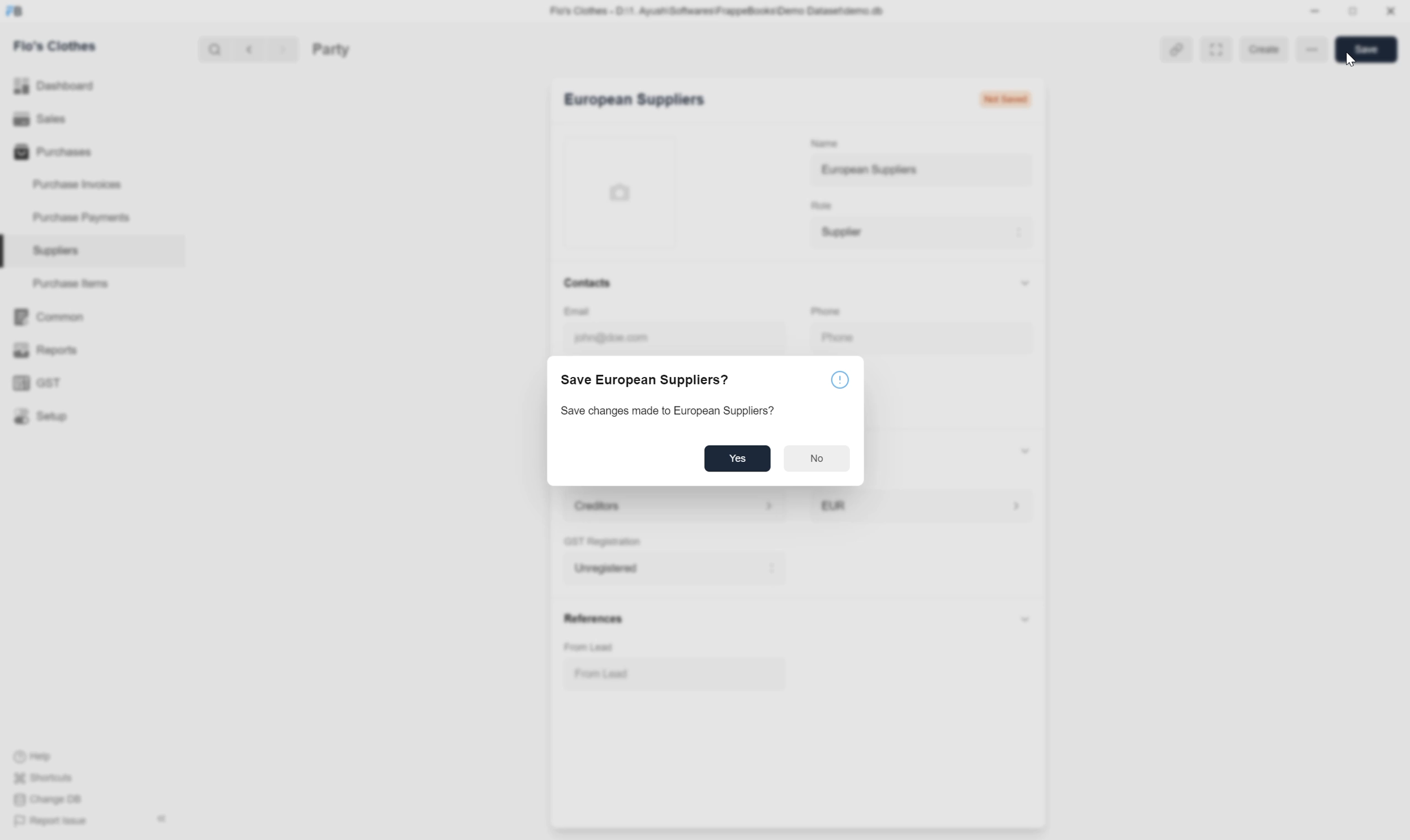 Image resolution: width=1410 pixels, height=840 pixels. I want to click on sales, so click(39, 118).